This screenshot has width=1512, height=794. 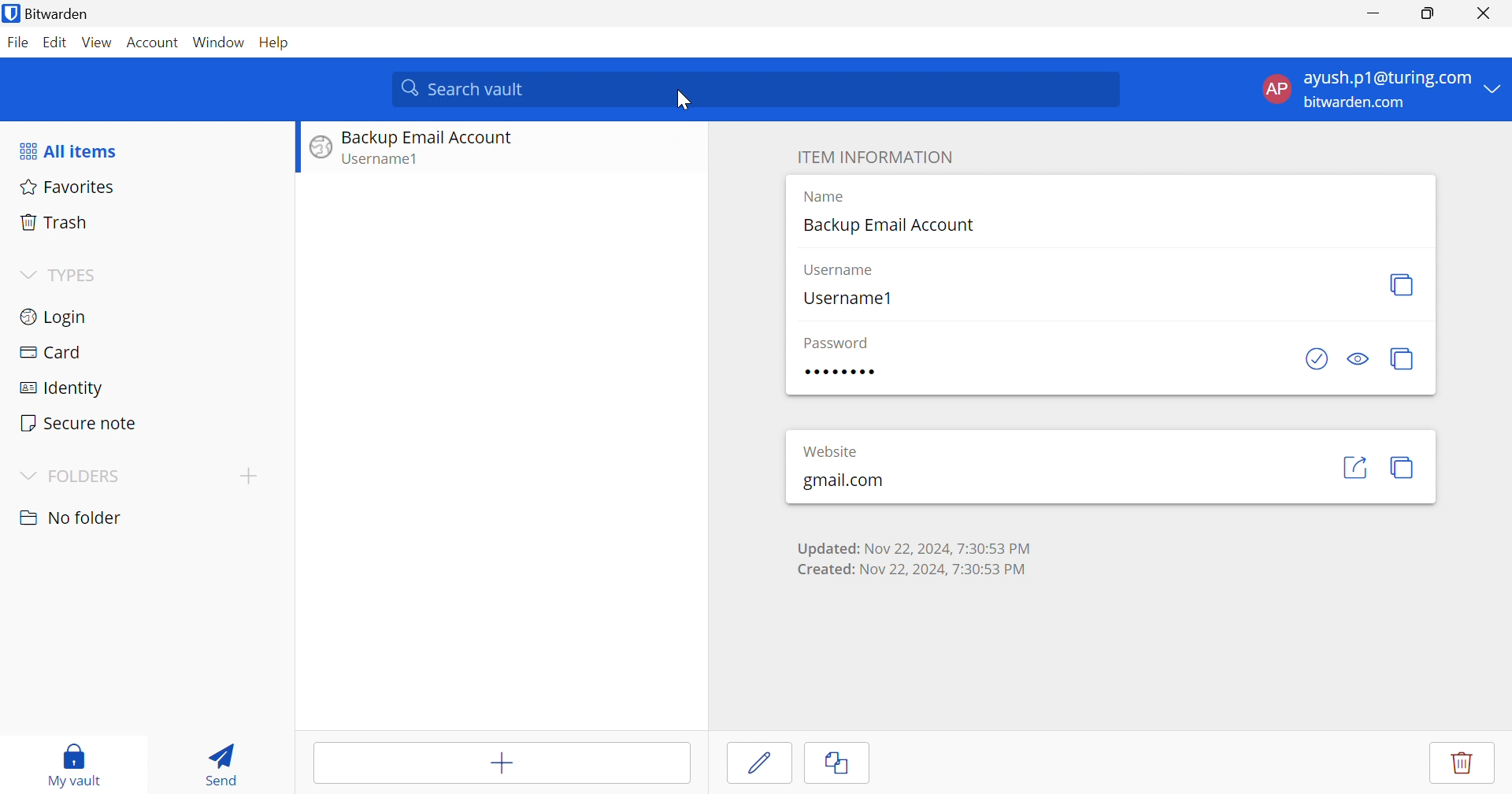 I want to click on Bitwarden, so click(x=57, y=13).